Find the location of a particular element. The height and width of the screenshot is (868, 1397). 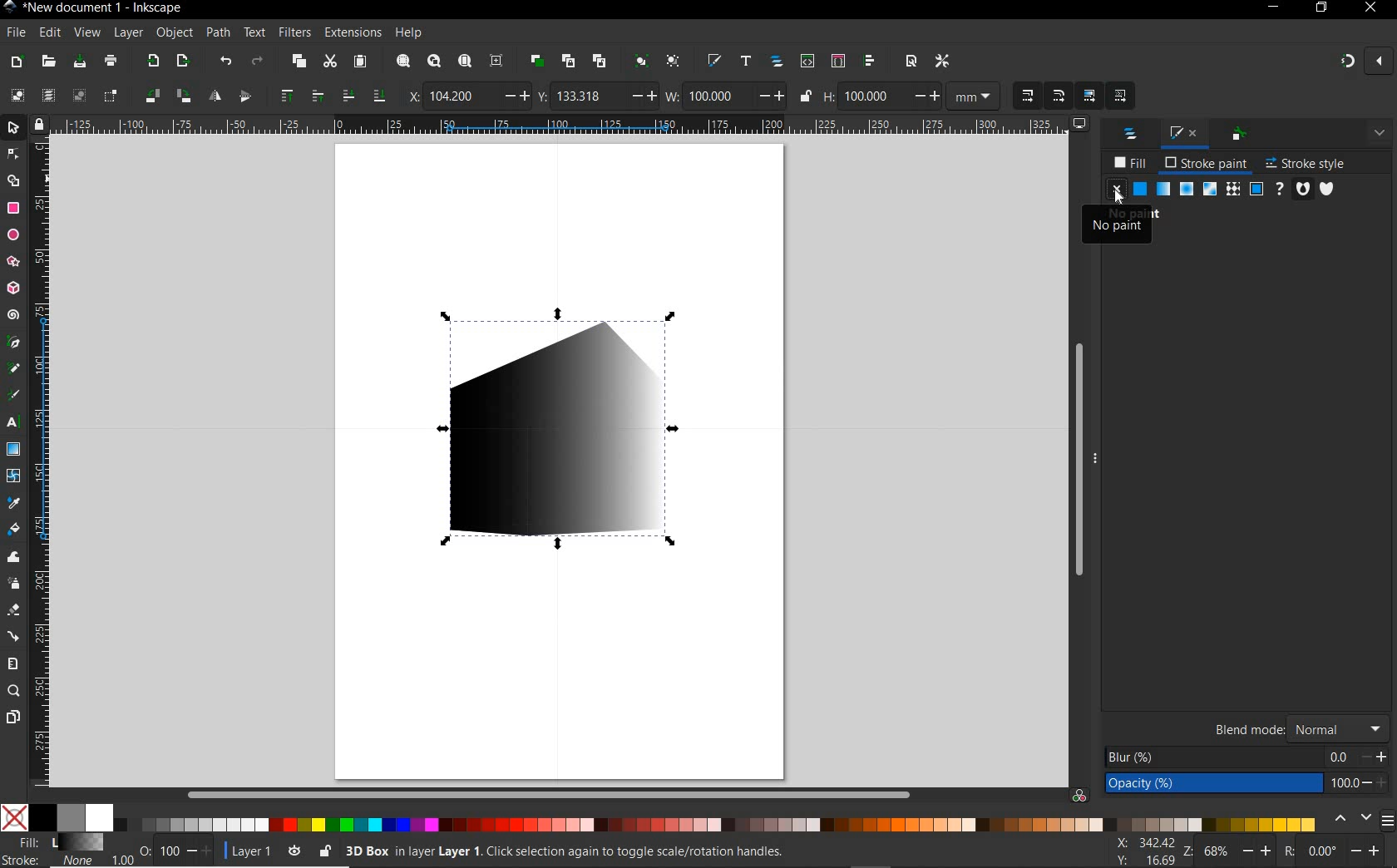

SCALING is located at coordinates (1027, 95).